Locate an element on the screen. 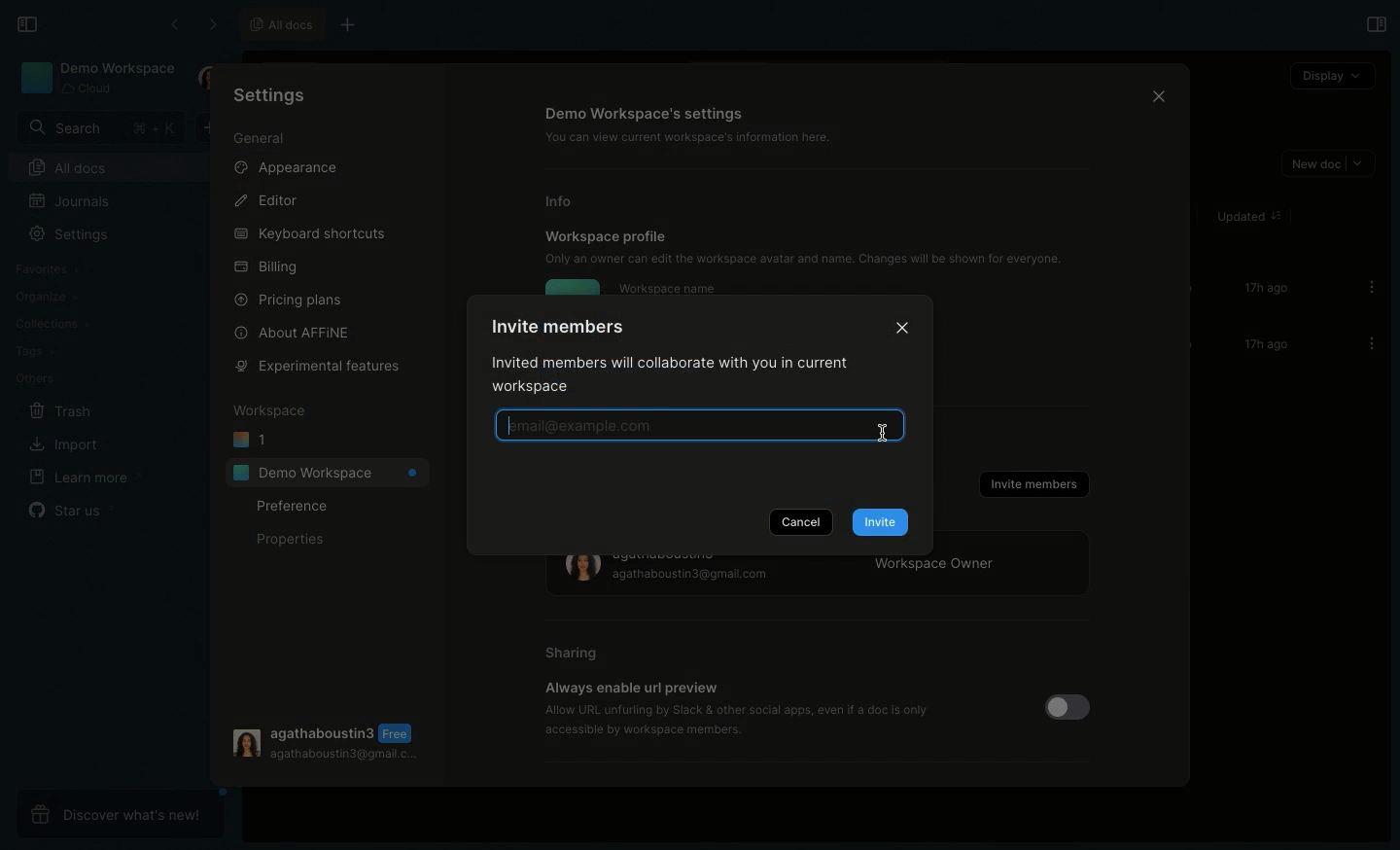 The width and height of the screenshot is (1400, 850). Experimental features is located at coordinates (318, 367).